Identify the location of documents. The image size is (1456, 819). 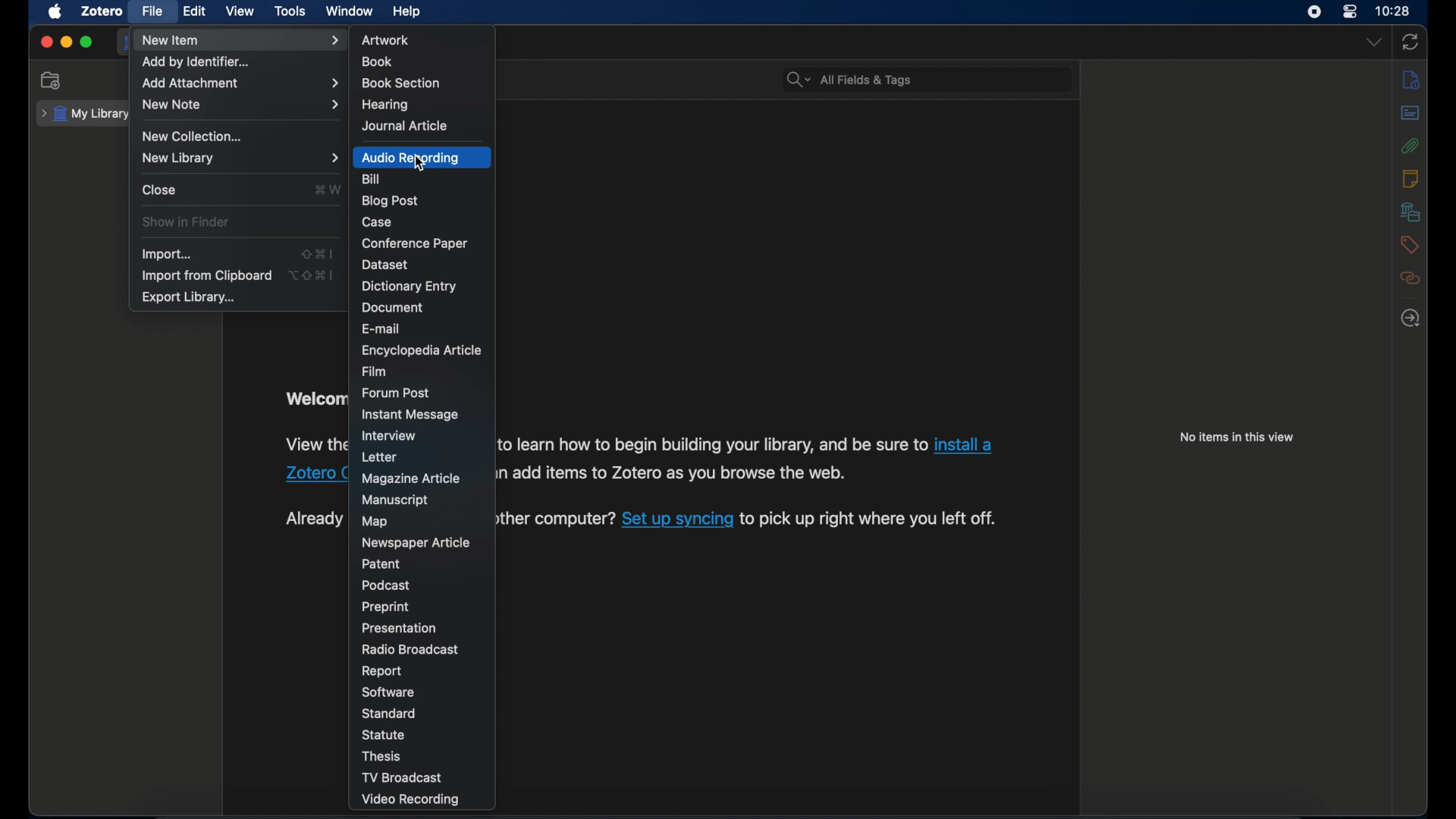
(395, 306).